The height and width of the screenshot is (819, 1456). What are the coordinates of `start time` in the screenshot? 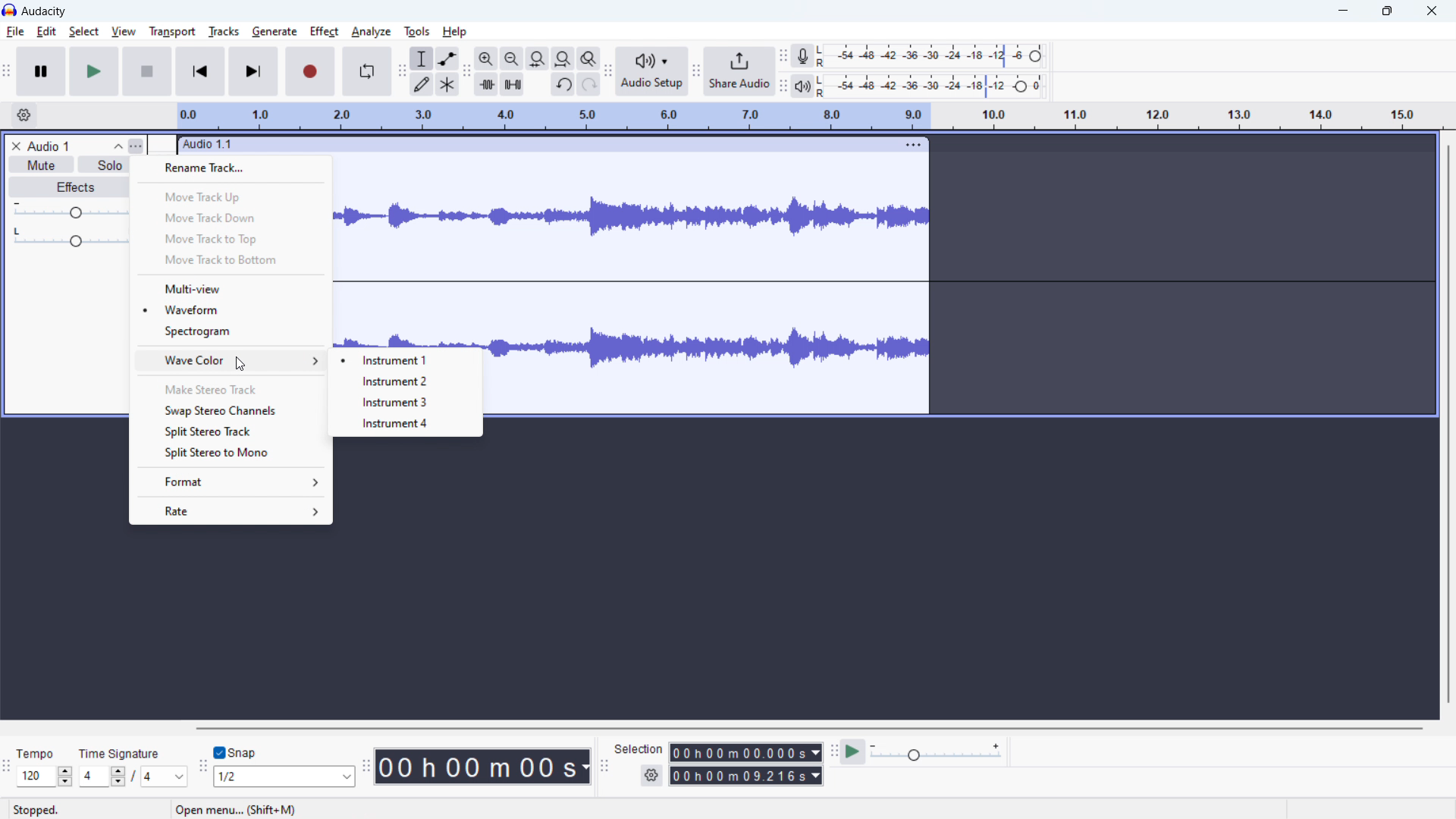 It's located at (745, 753).